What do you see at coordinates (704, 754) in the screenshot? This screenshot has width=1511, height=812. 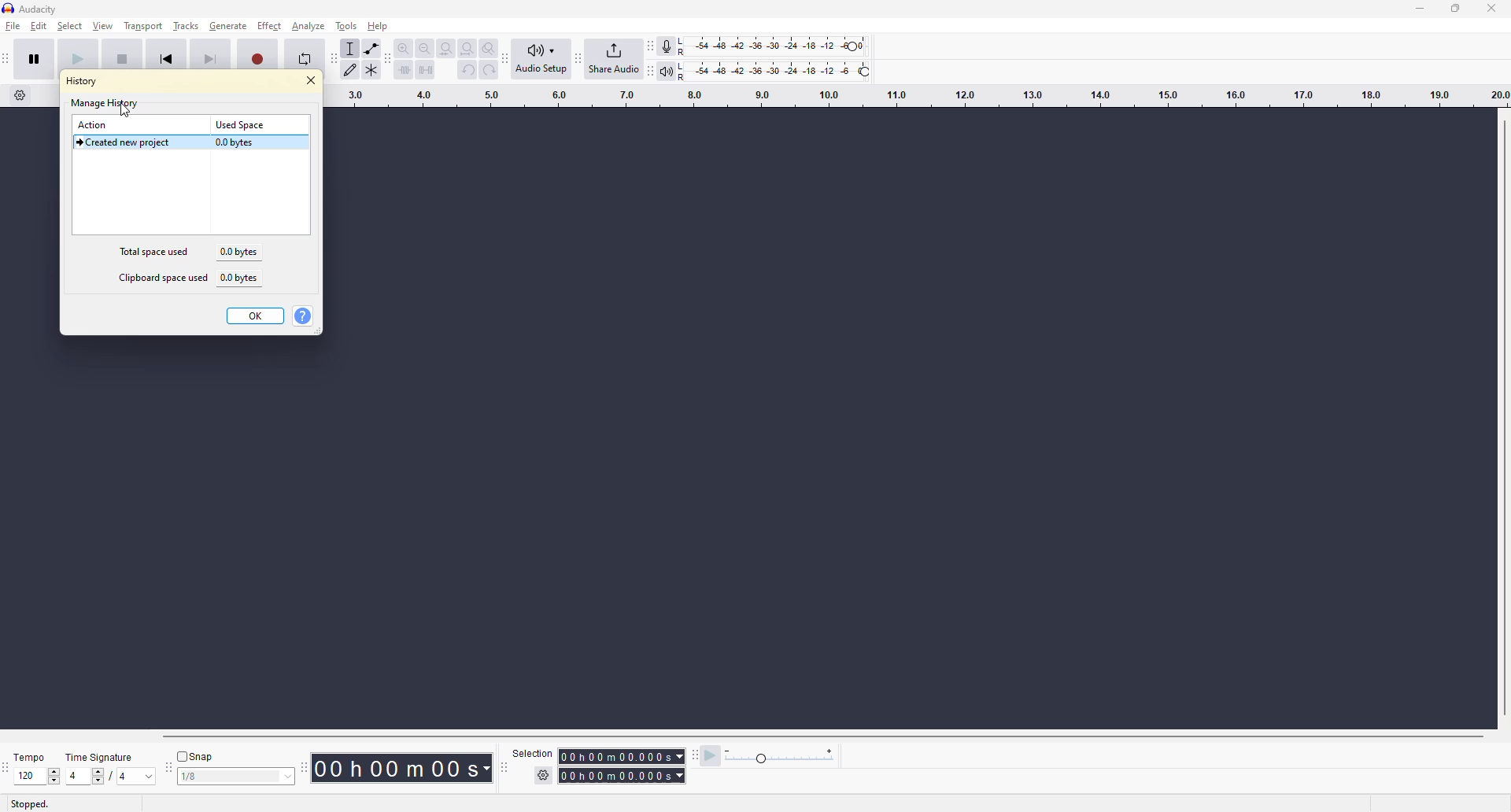 I see `play at speed` at bounding box center [704, 754].